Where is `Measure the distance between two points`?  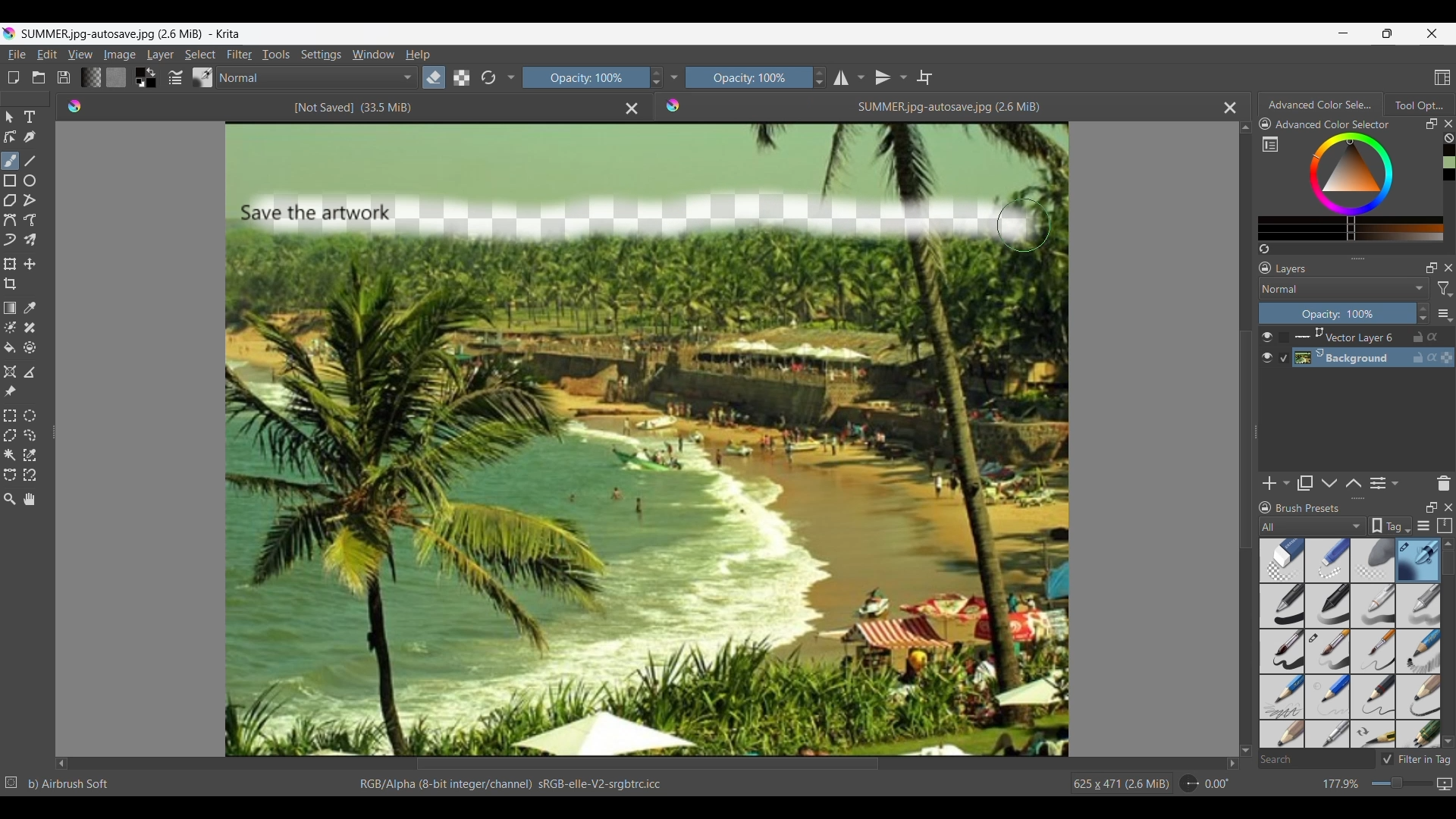
Measure the distance between two points is located at coordinates (30, 372).